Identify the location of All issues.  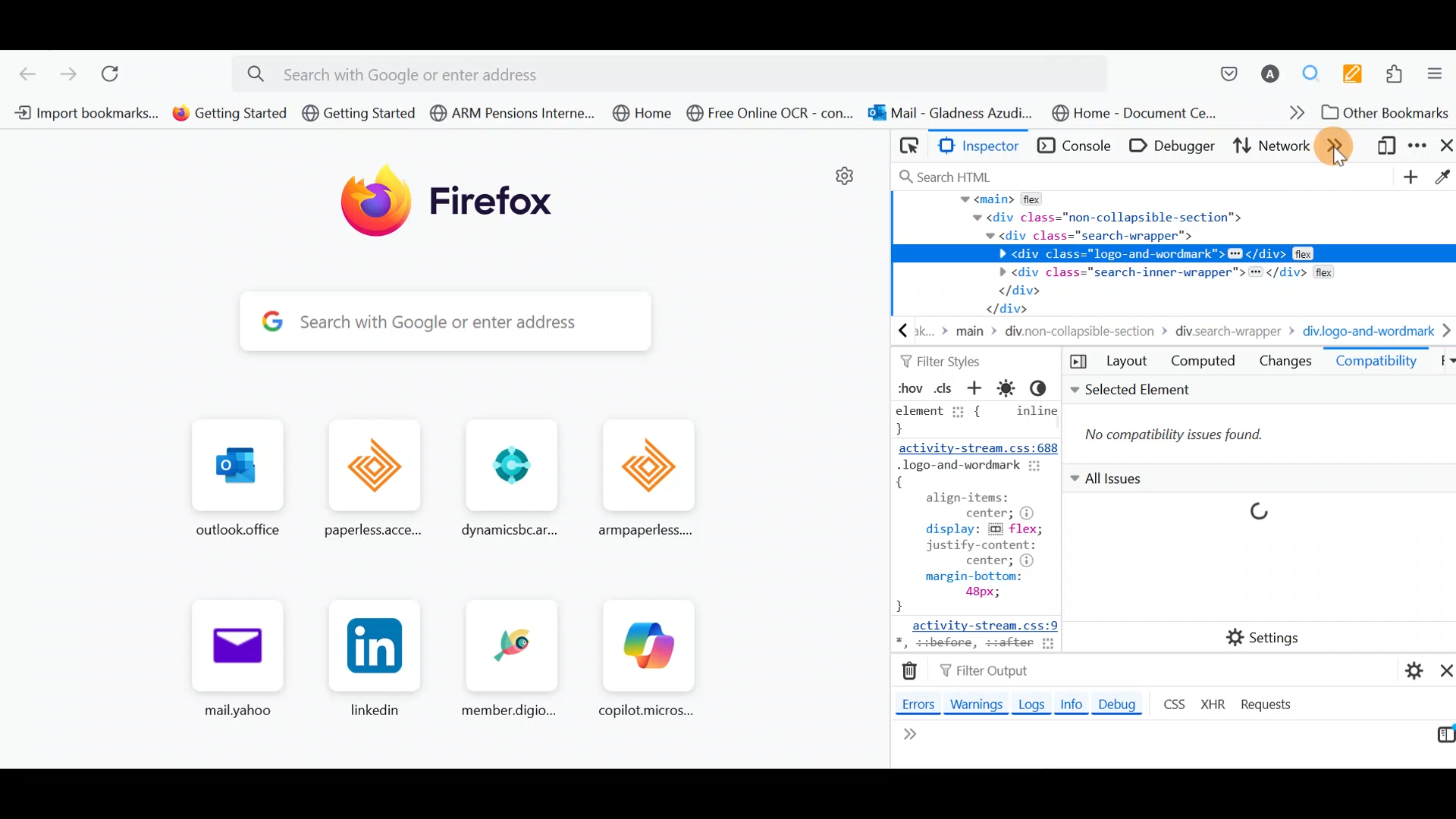
(1246, 533).